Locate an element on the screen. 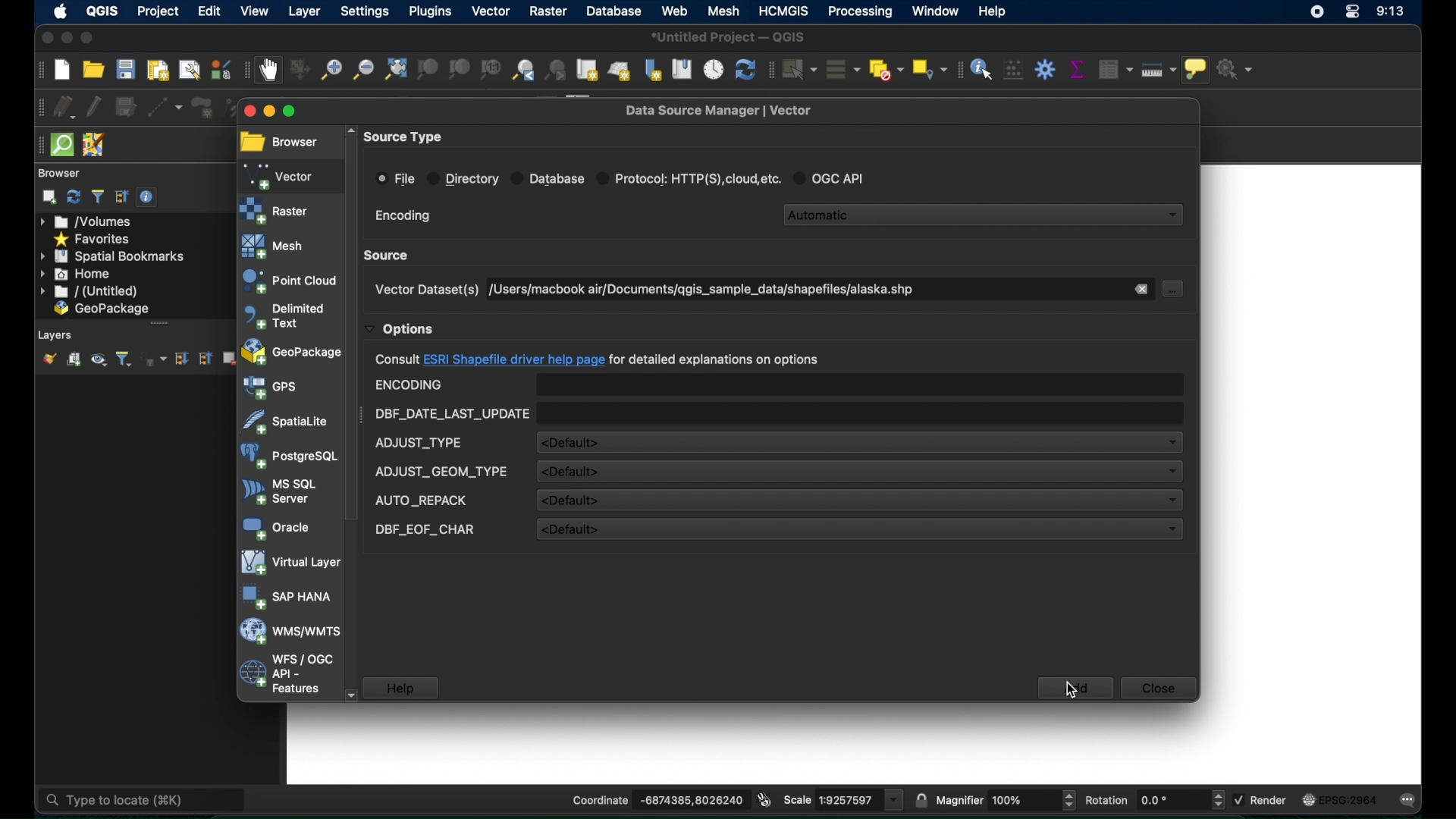 This screenshot has height=819, width=1456. source type is located at coordinates (406, 137).